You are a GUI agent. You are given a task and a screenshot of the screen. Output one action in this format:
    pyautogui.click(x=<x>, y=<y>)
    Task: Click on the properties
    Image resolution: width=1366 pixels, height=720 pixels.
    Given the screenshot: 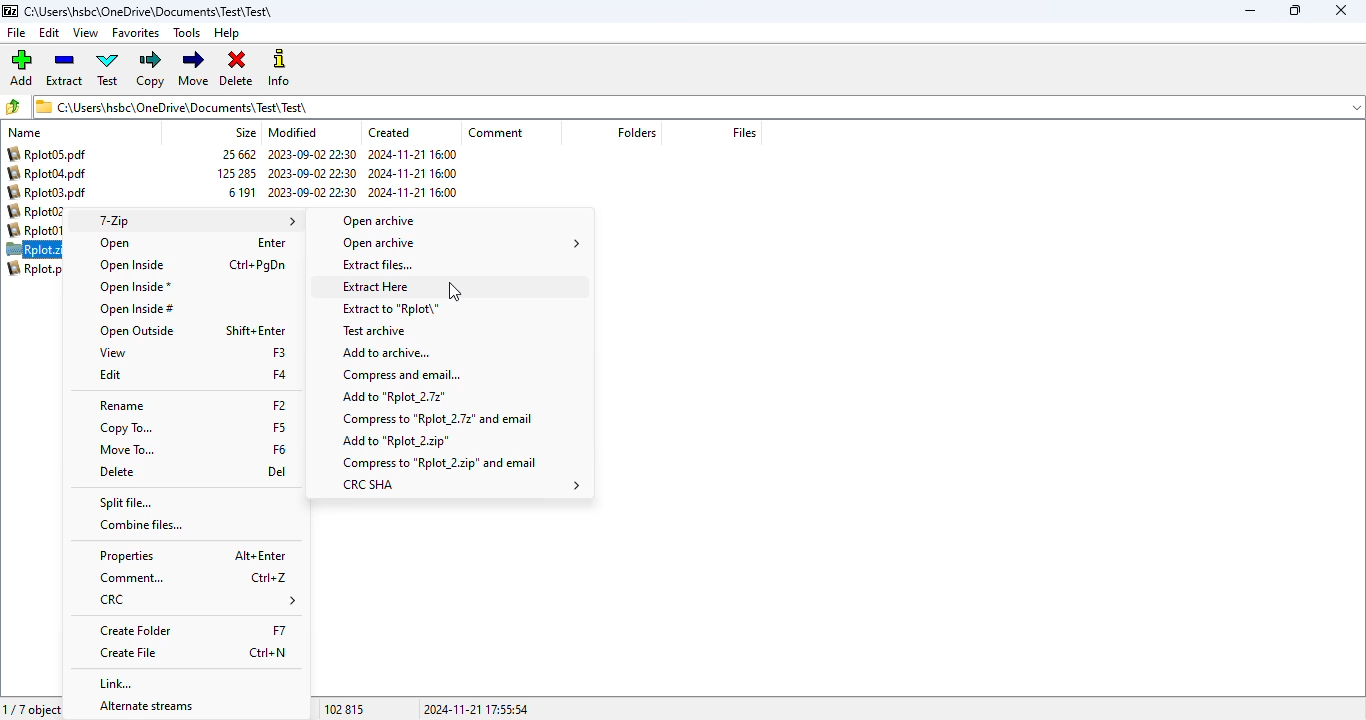 What is the action you would take?
    pyautogui.click(x=126, y=557)
    